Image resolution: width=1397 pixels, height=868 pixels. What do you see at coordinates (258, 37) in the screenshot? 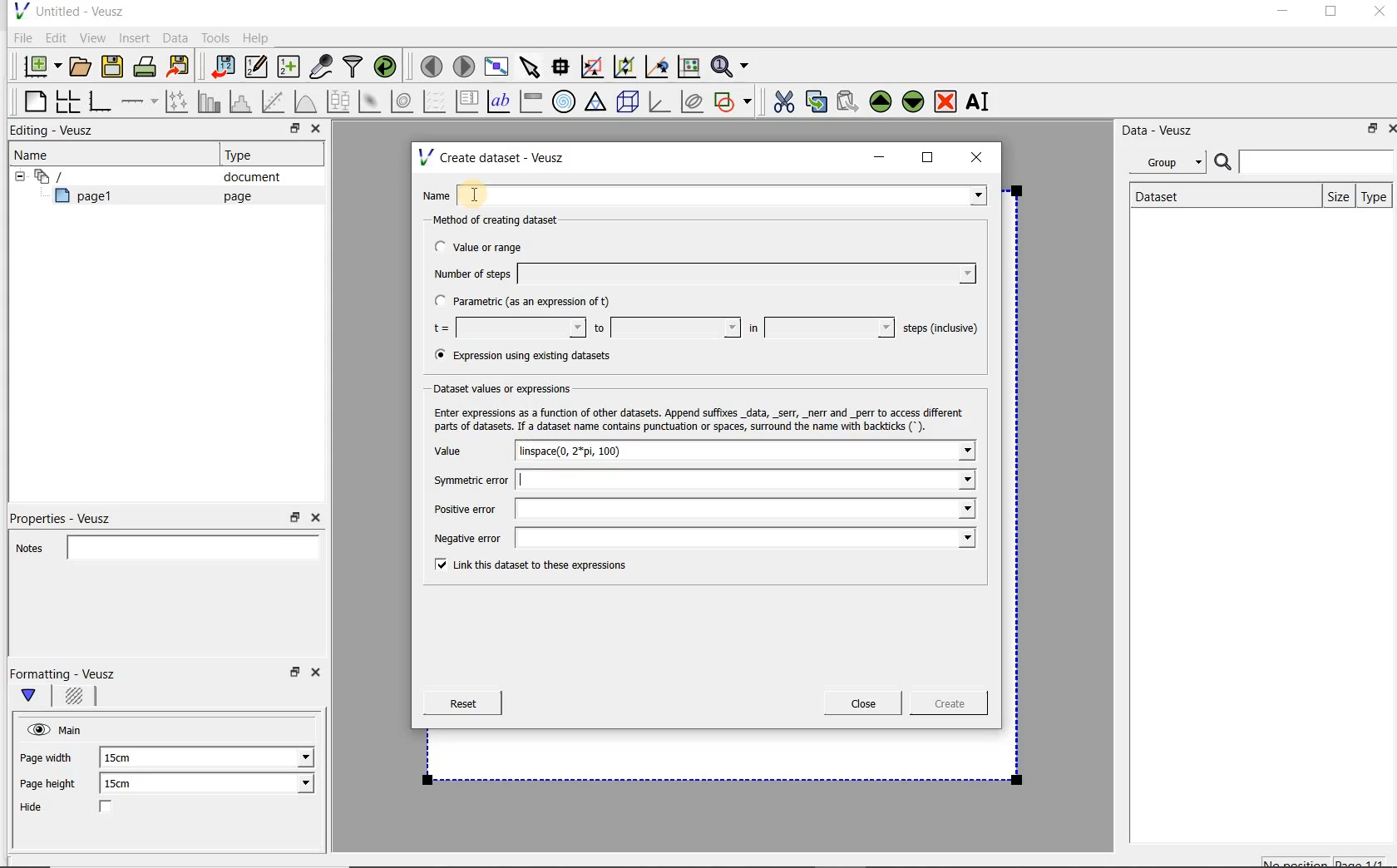
I see `Help` at bounding box center [258, 37].